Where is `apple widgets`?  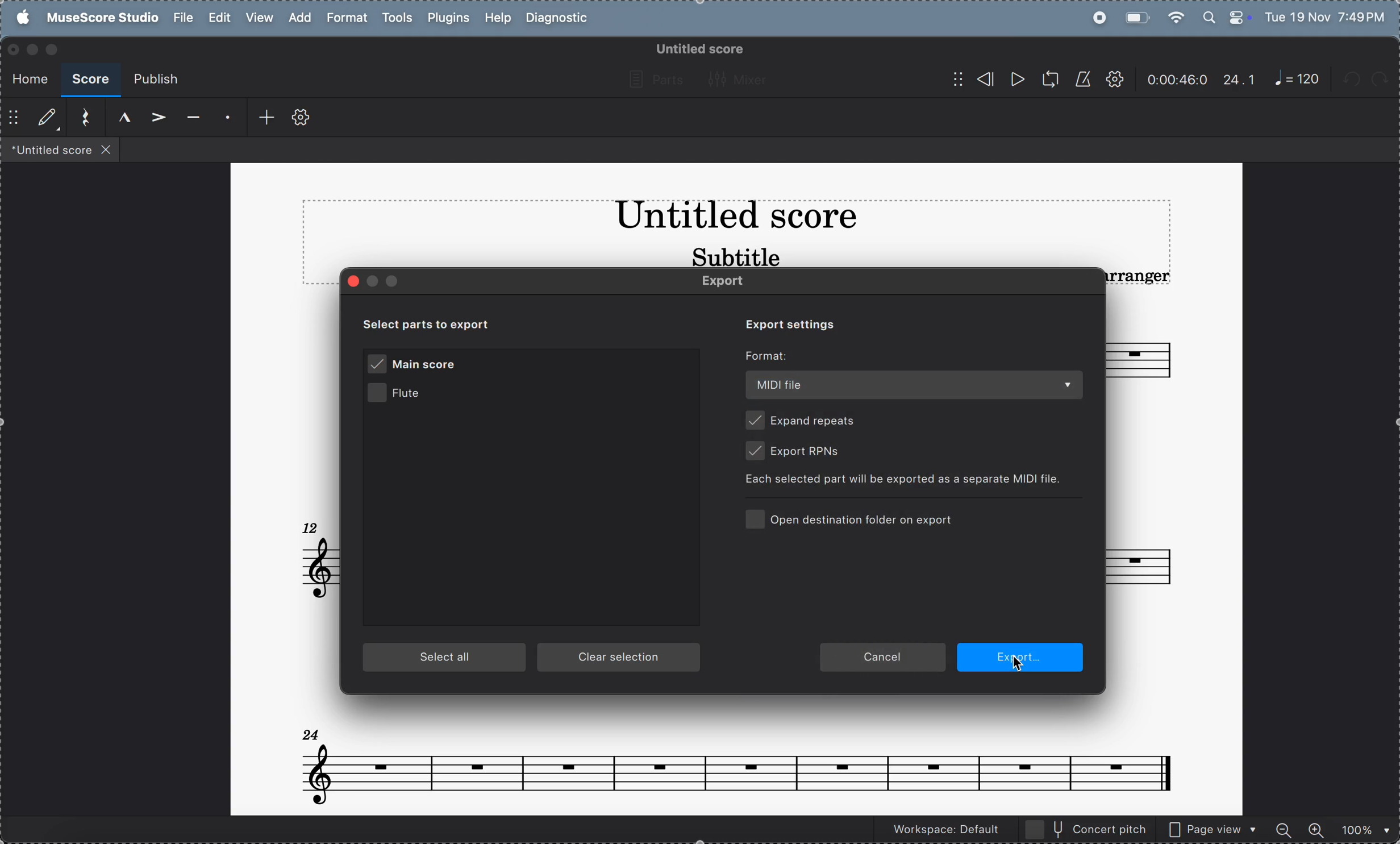
apple widgets is located at coordinates (1226, 16).